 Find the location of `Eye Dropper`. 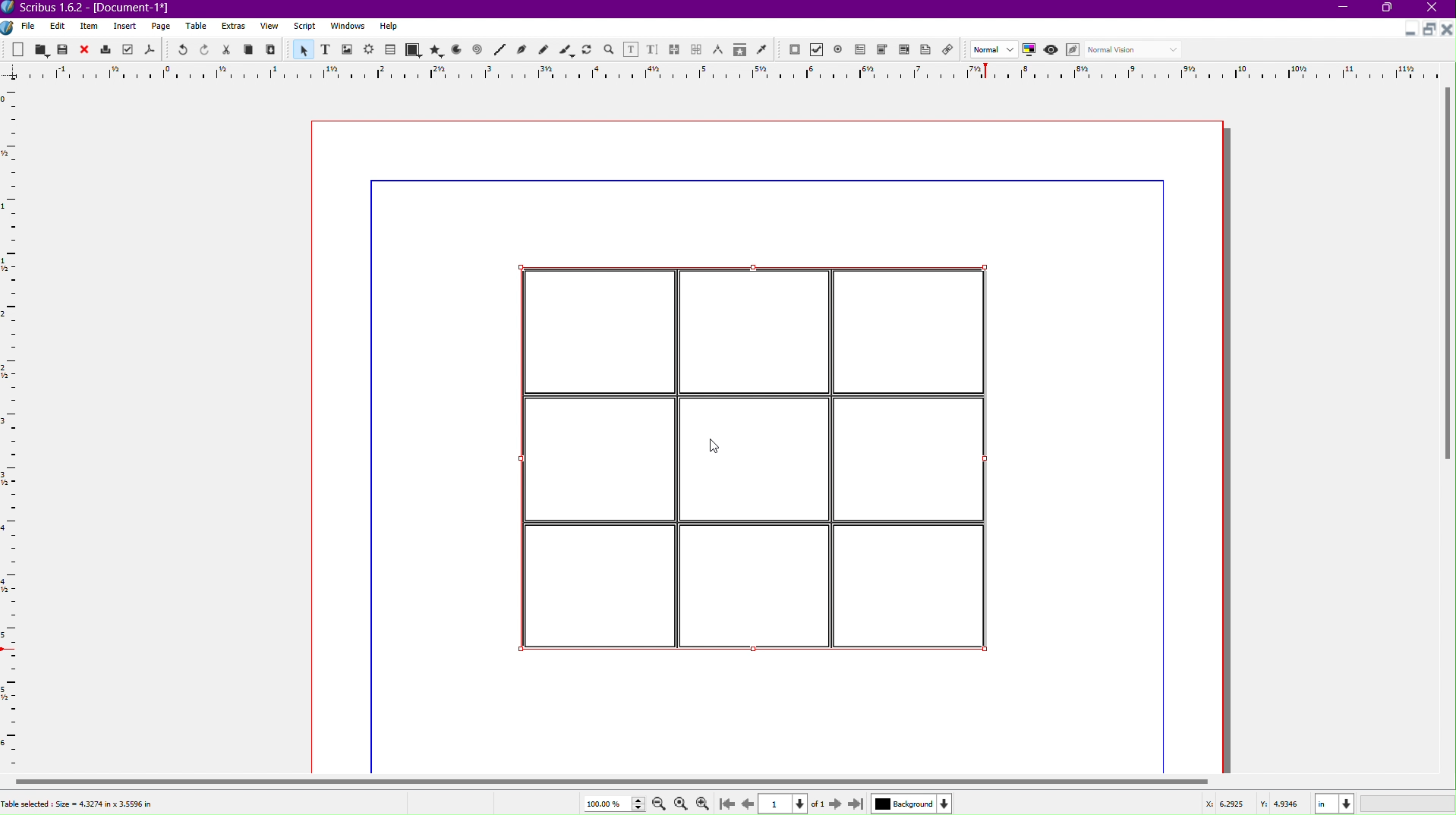

Eye Dropper is located at coordinates (761, 49).